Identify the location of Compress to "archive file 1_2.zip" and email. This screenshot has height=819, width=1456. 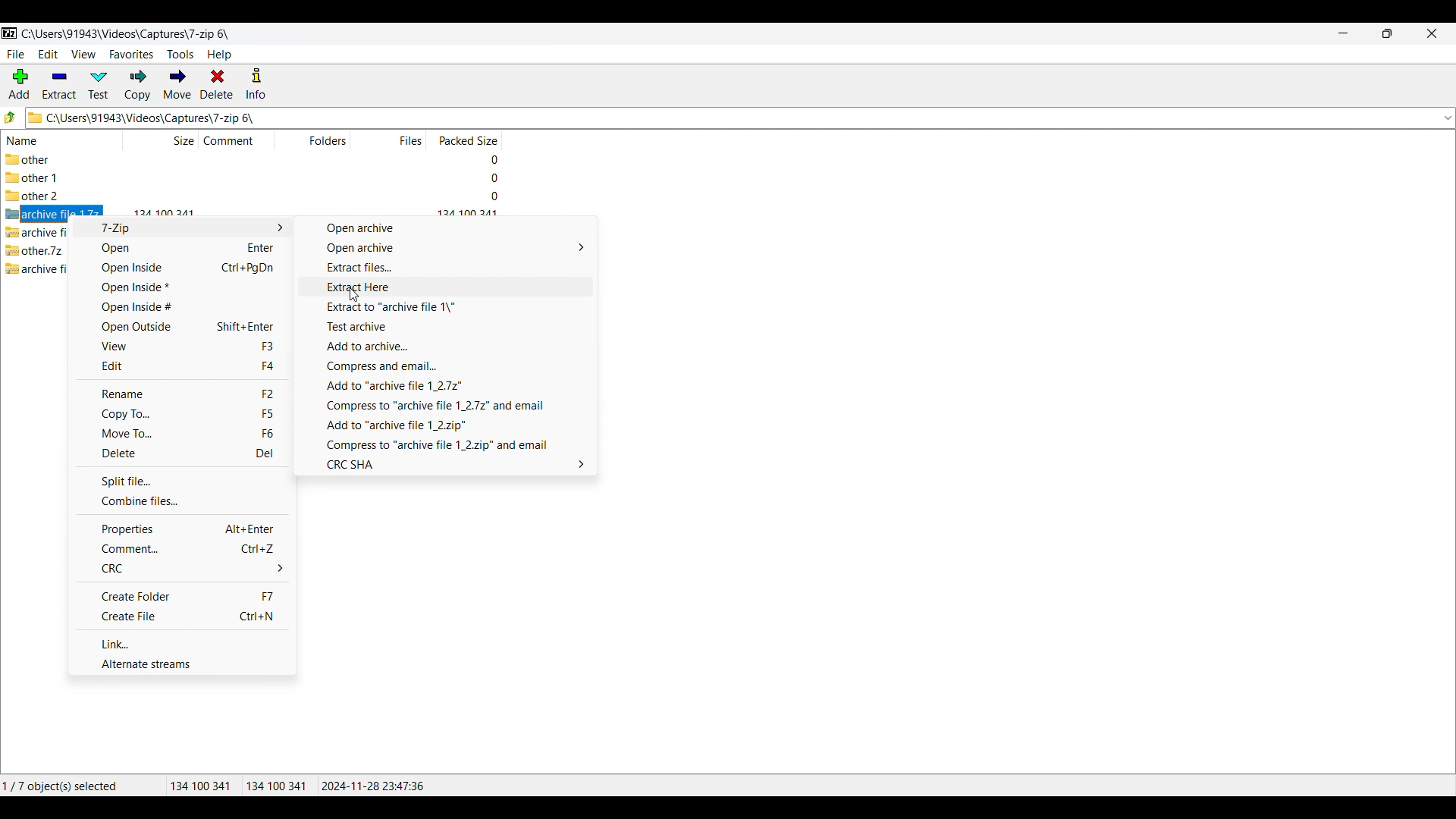
(450, 445).